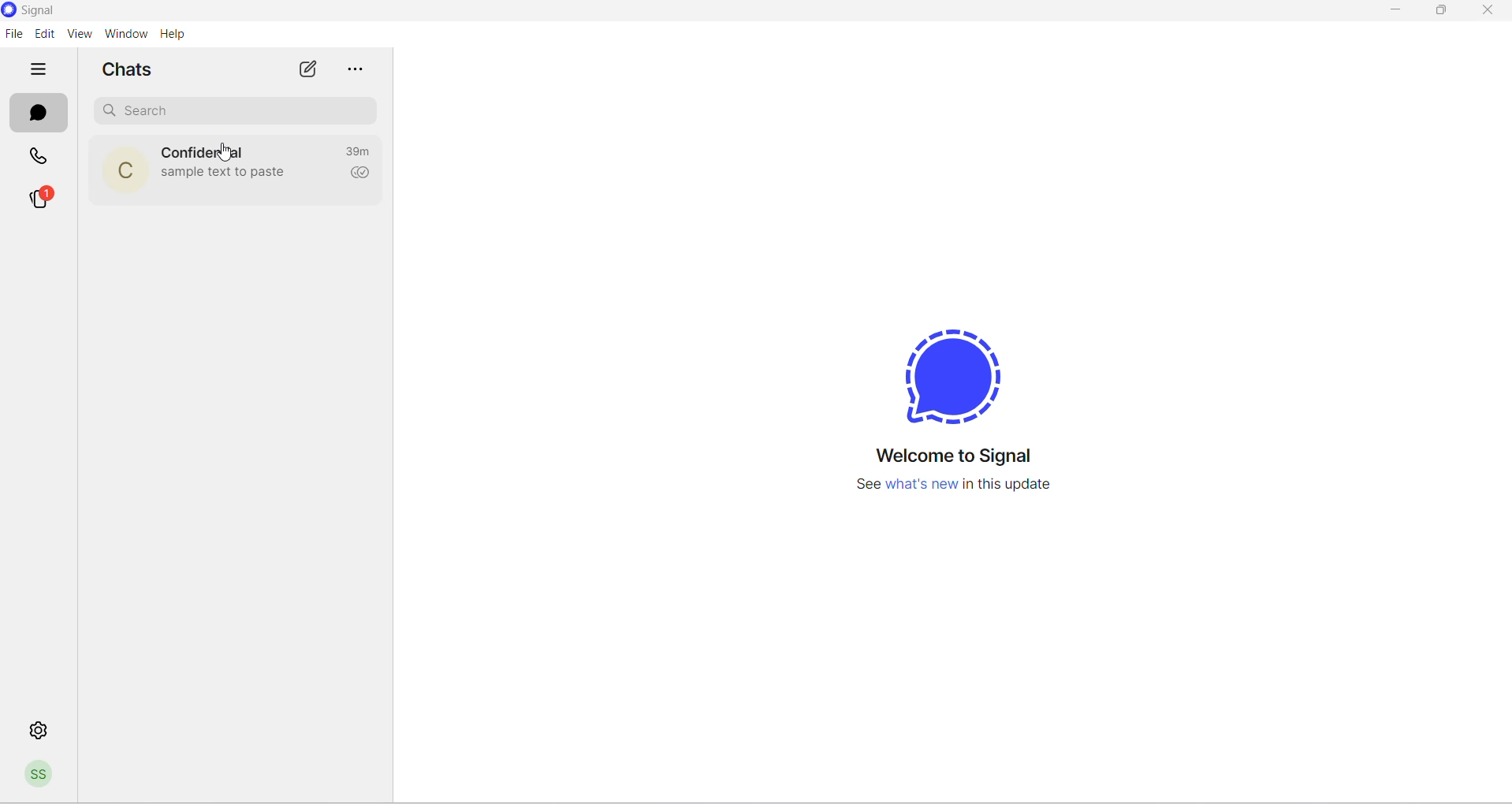  I want to click on more options, so click(359, 71).